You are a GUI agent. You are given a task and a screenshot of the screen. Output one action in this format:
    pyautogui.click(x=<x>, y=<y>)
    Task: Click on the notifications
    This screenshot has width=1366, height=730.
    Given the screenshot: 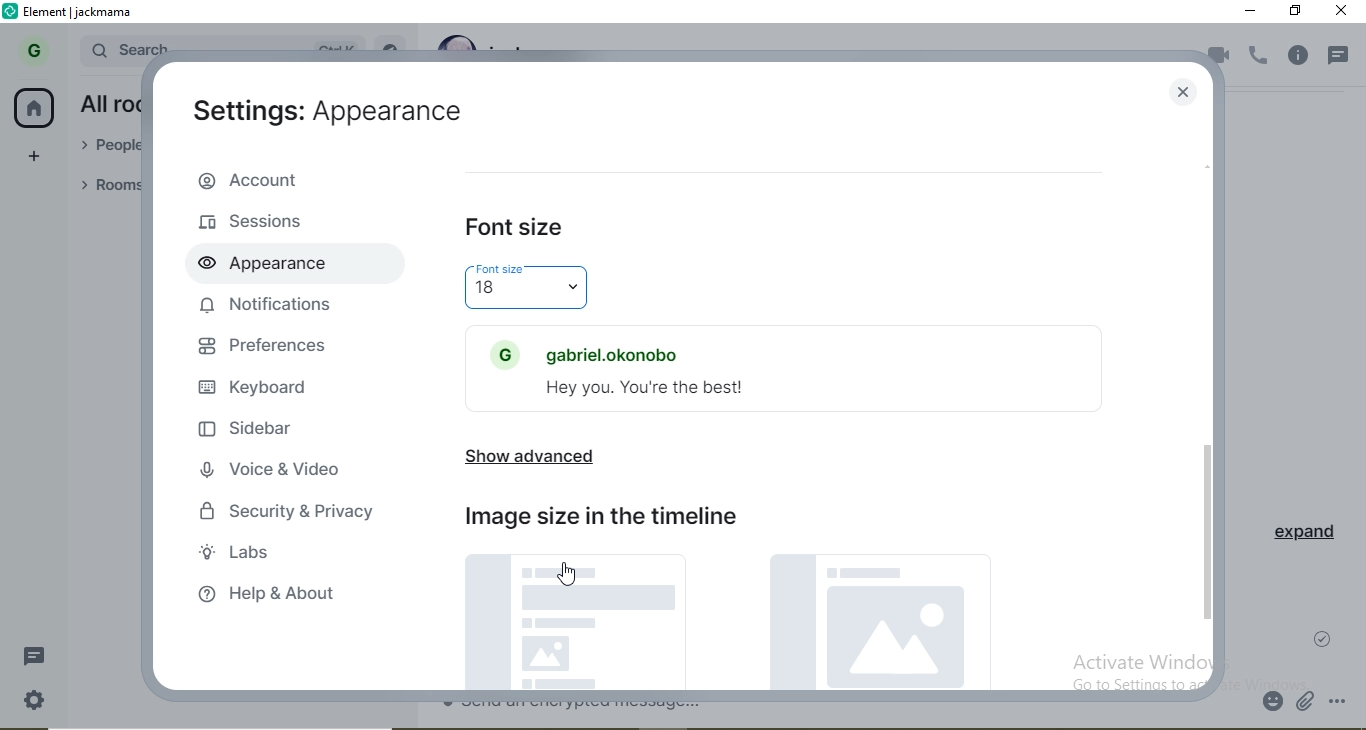 What is the action you would take?
    pyautogui.click(x=264, y=301)
    